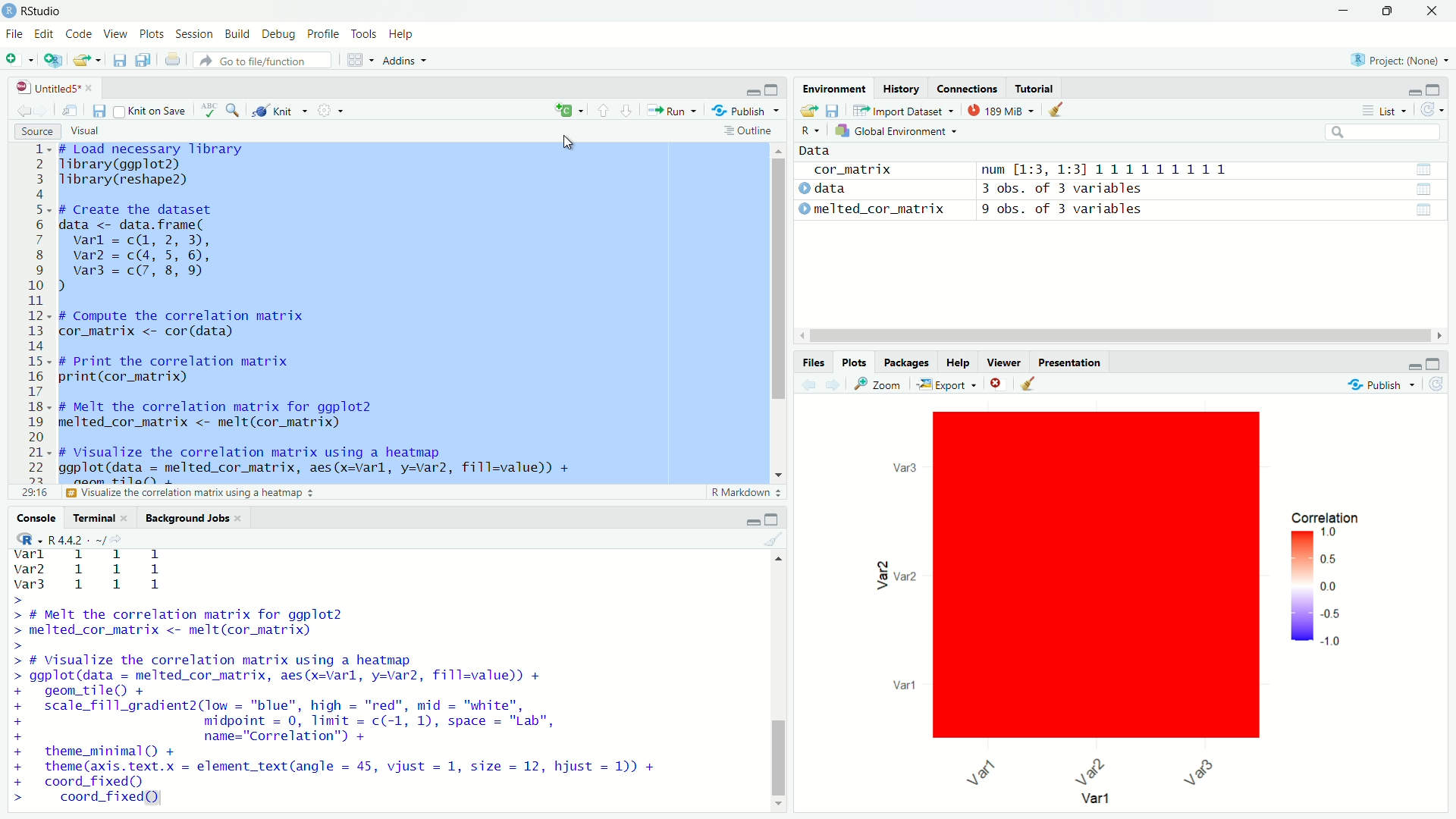 The width and height of the screenshot is (1456, 819). What do you see at coordinates (881, 384) in the screenshot?
I see `zoom` at bounding box center [881, 384].